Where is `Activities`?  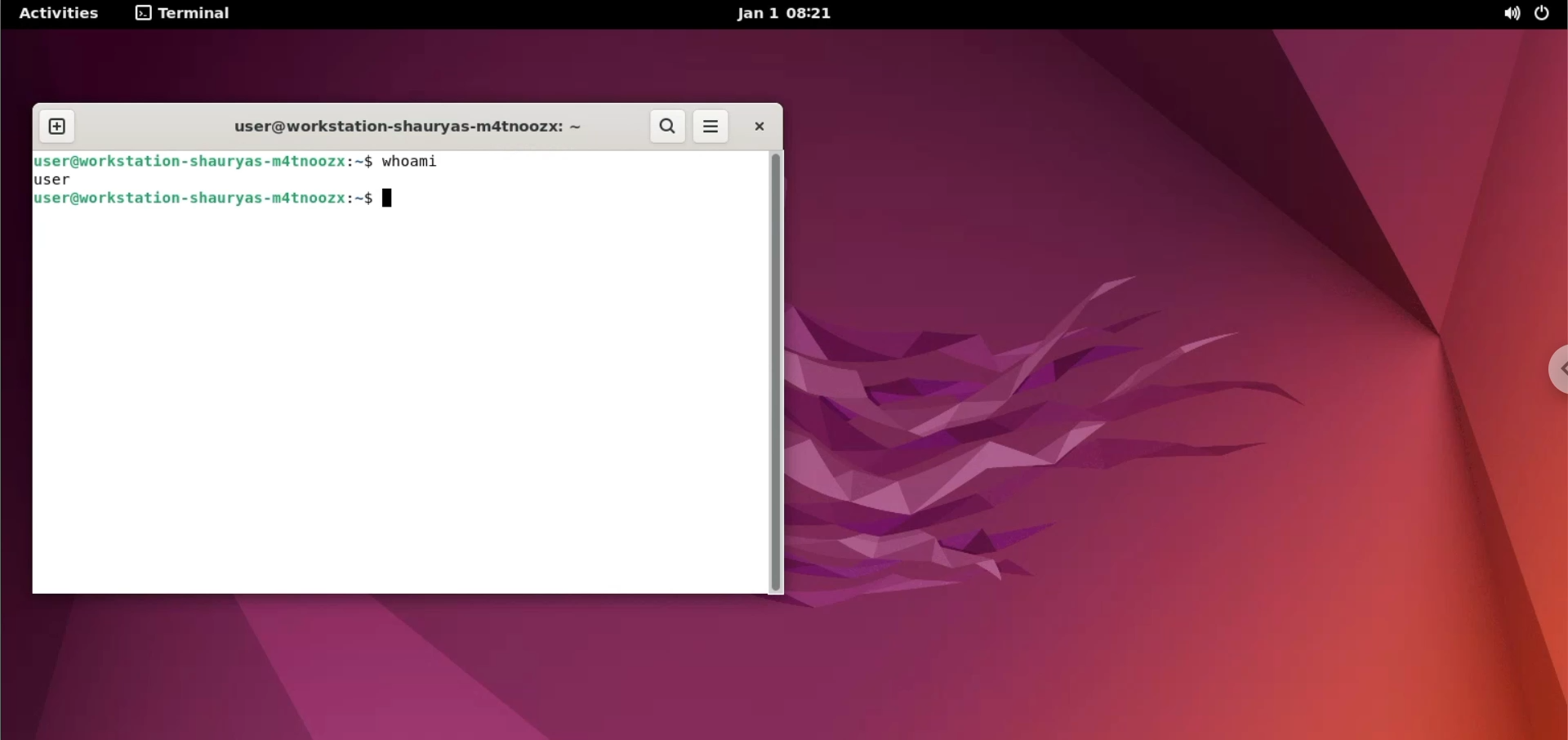 Activities is located at coordinates (60, 14).